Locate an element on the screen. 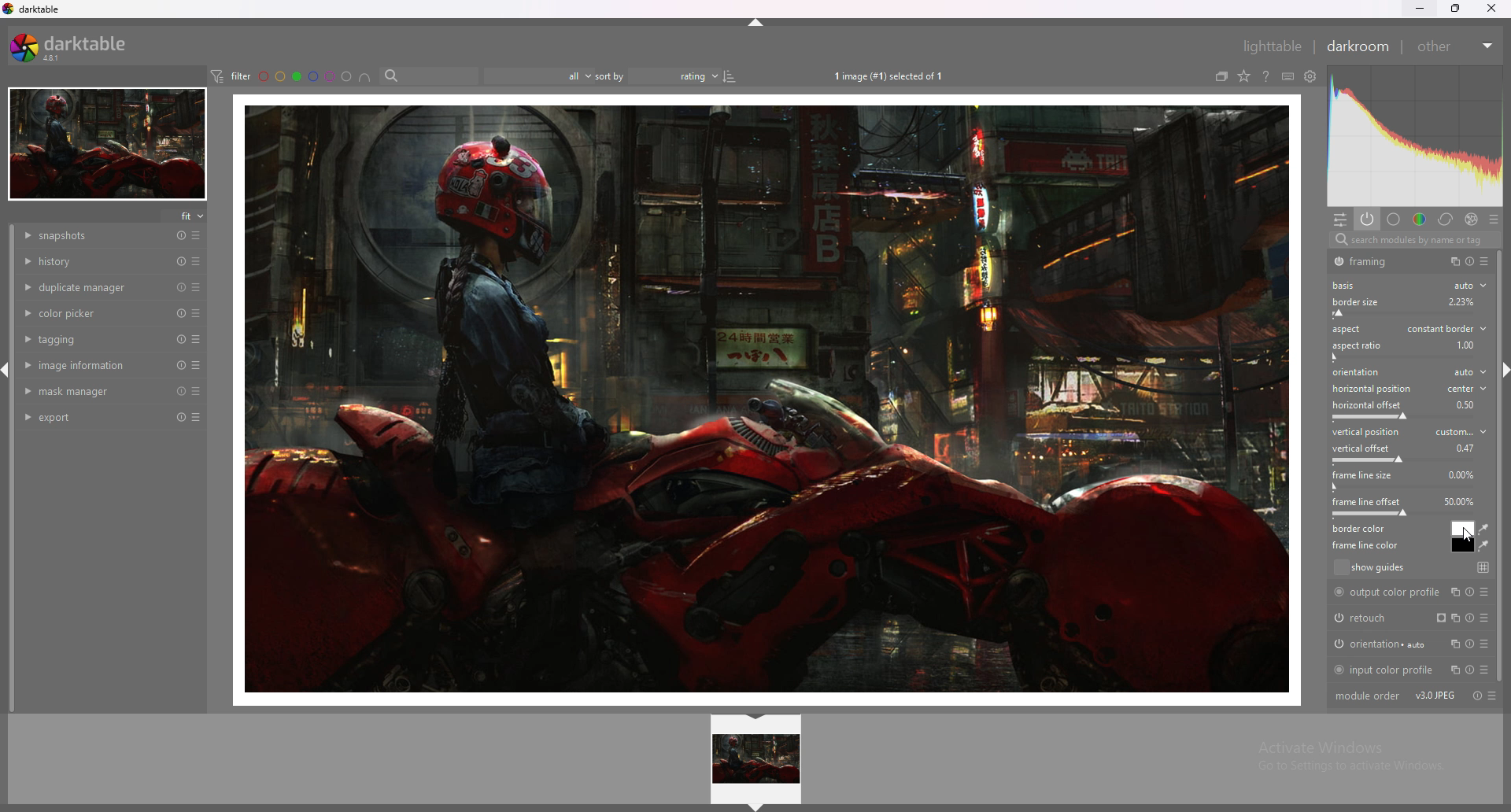  history is located at coordinates (93, 260).